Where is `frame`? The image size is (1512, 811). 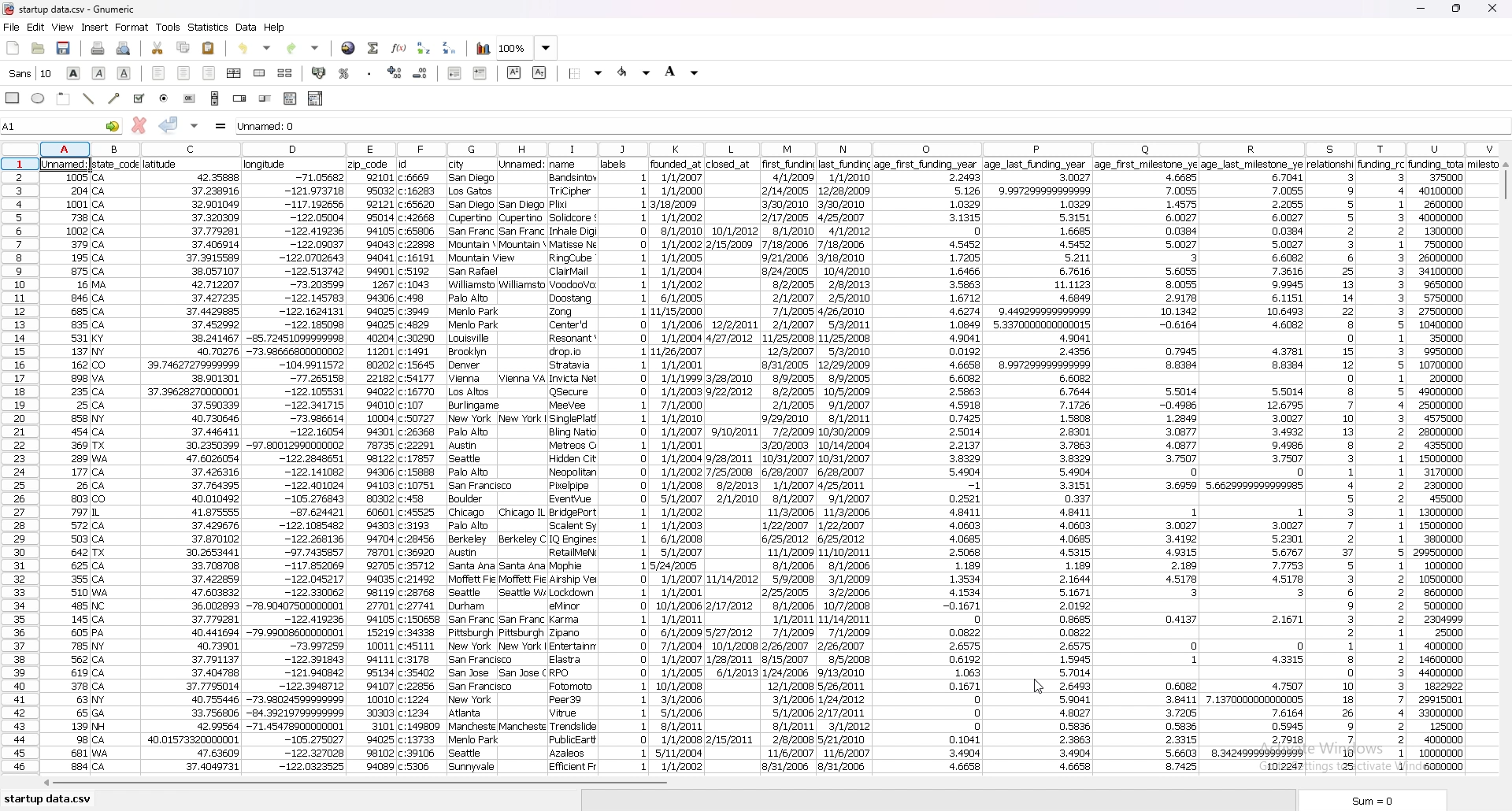 frame is located at coordinates (65, 98).